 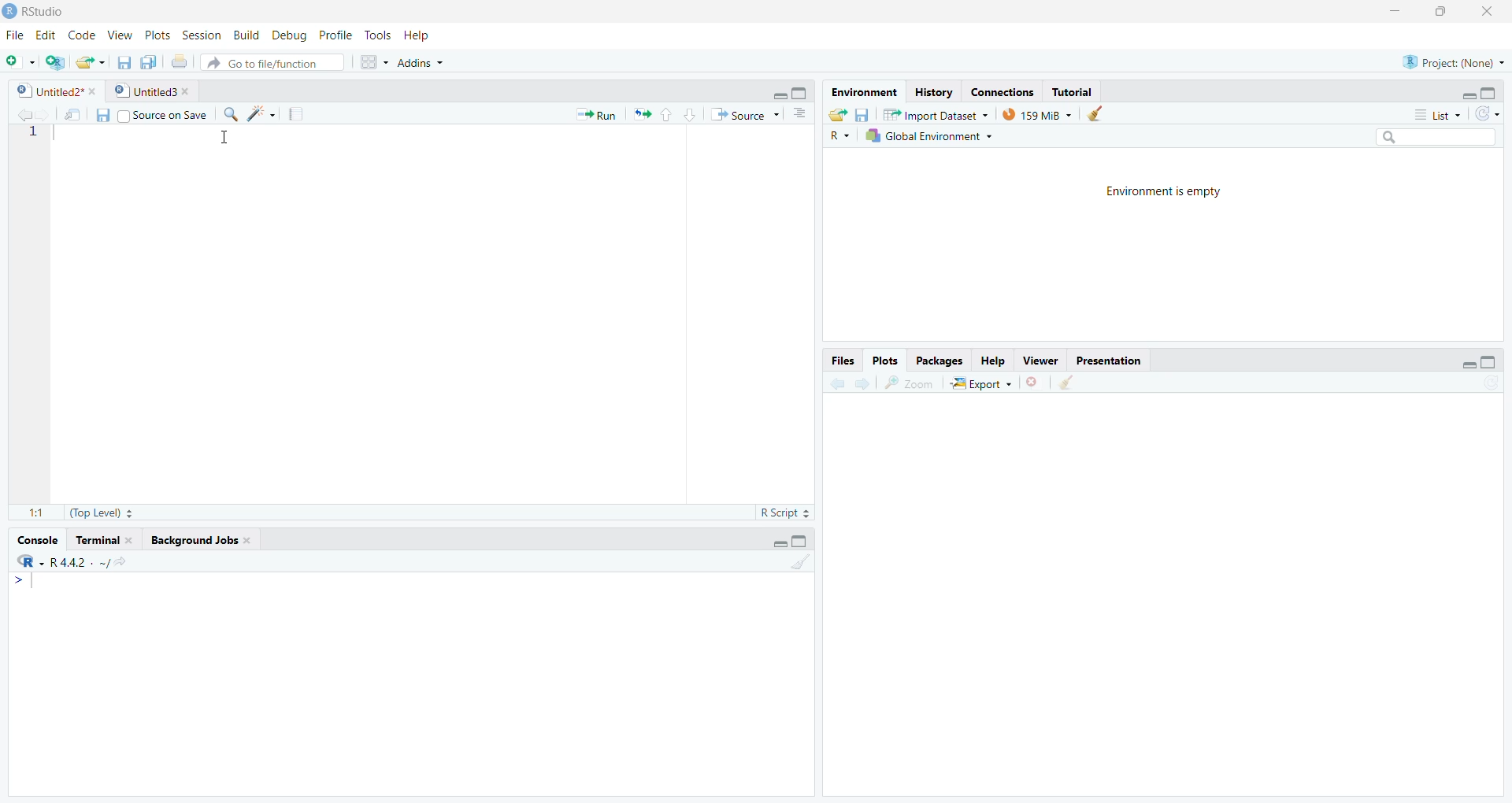 I want to click on Build, so click(x=246, y=37).